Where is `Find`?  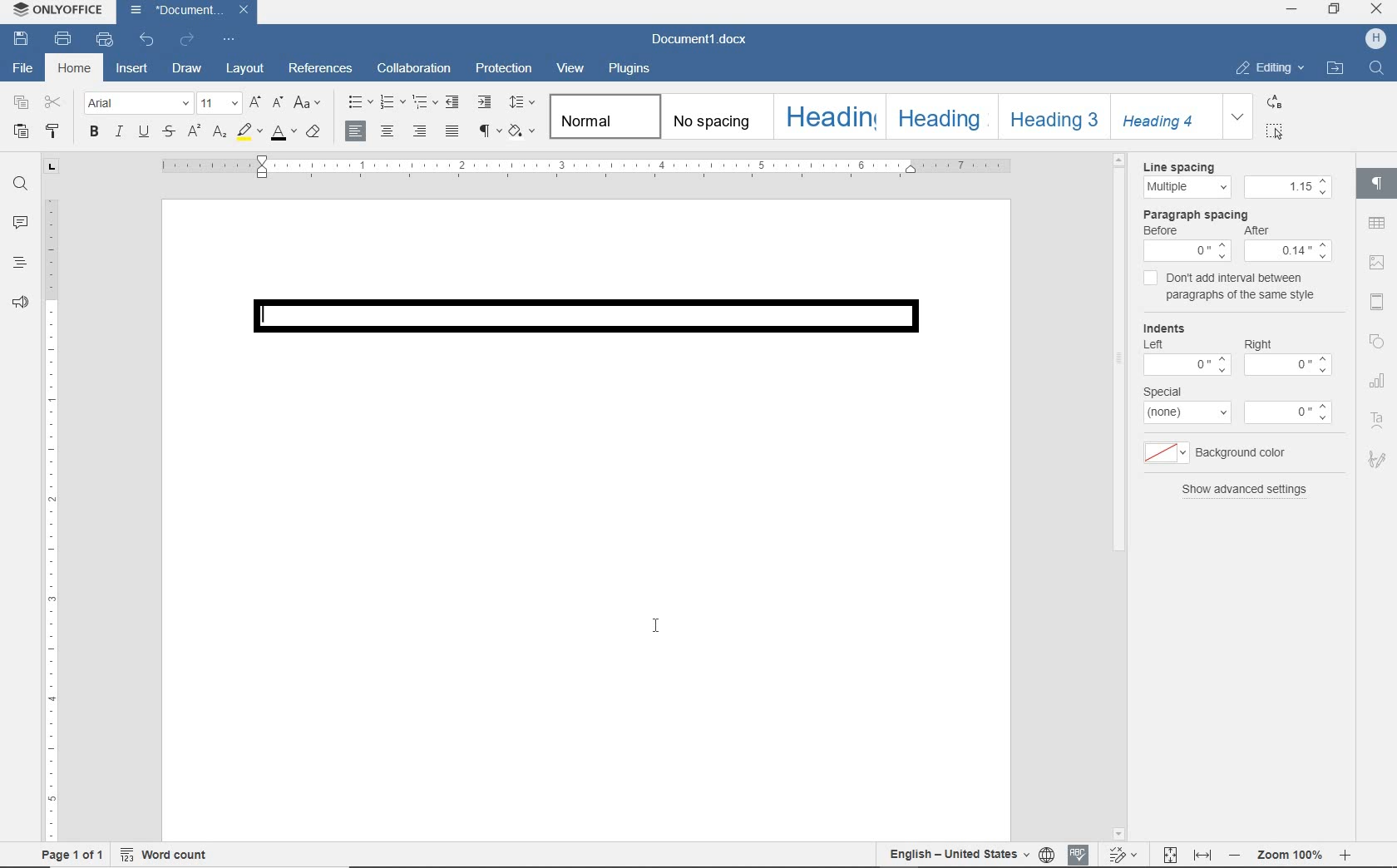
Find is located at coordinates (1380, 72).